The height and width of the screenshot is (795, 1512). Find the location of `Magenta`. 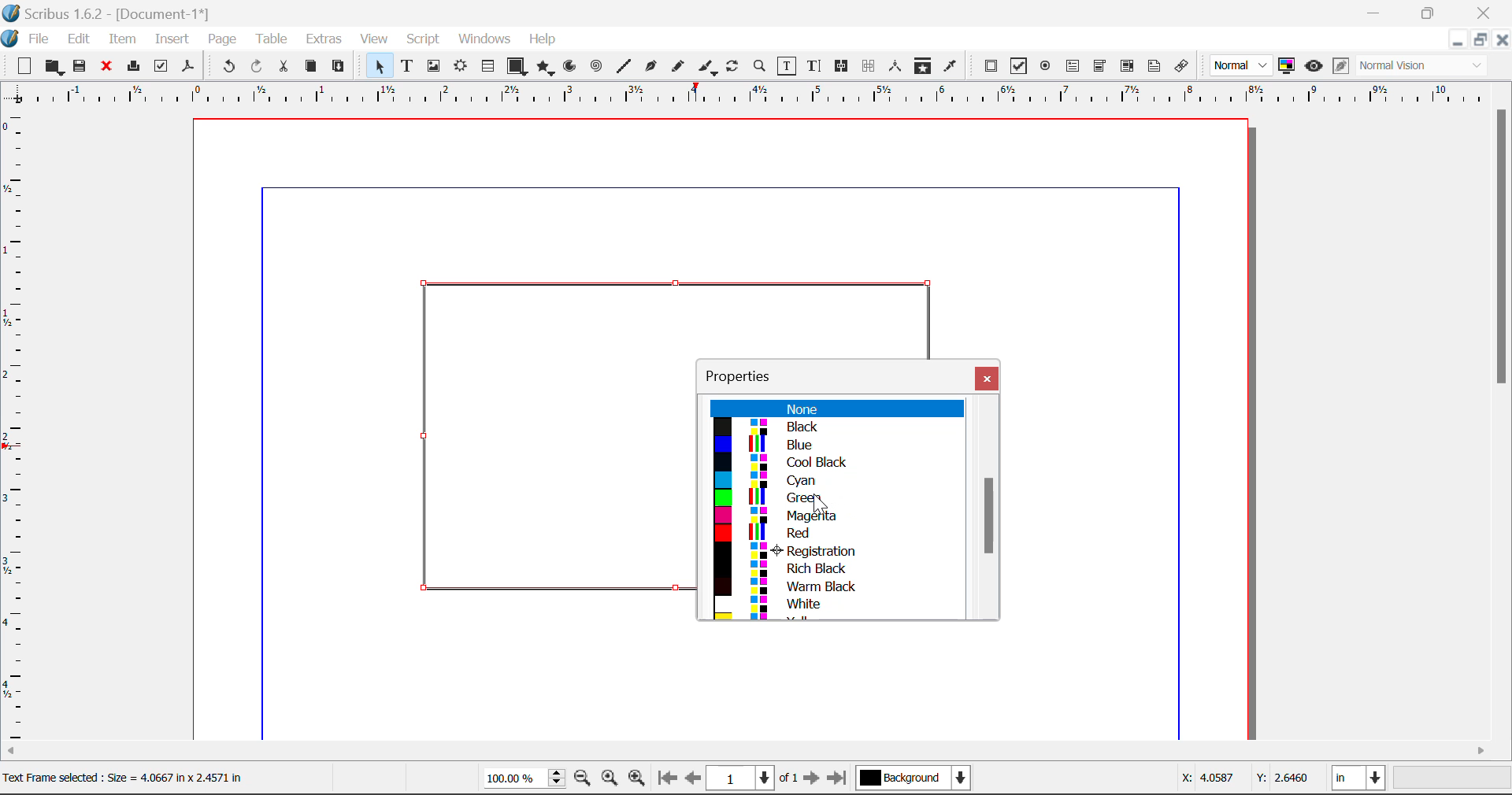

Magenta is located at coordinates (837, 516).